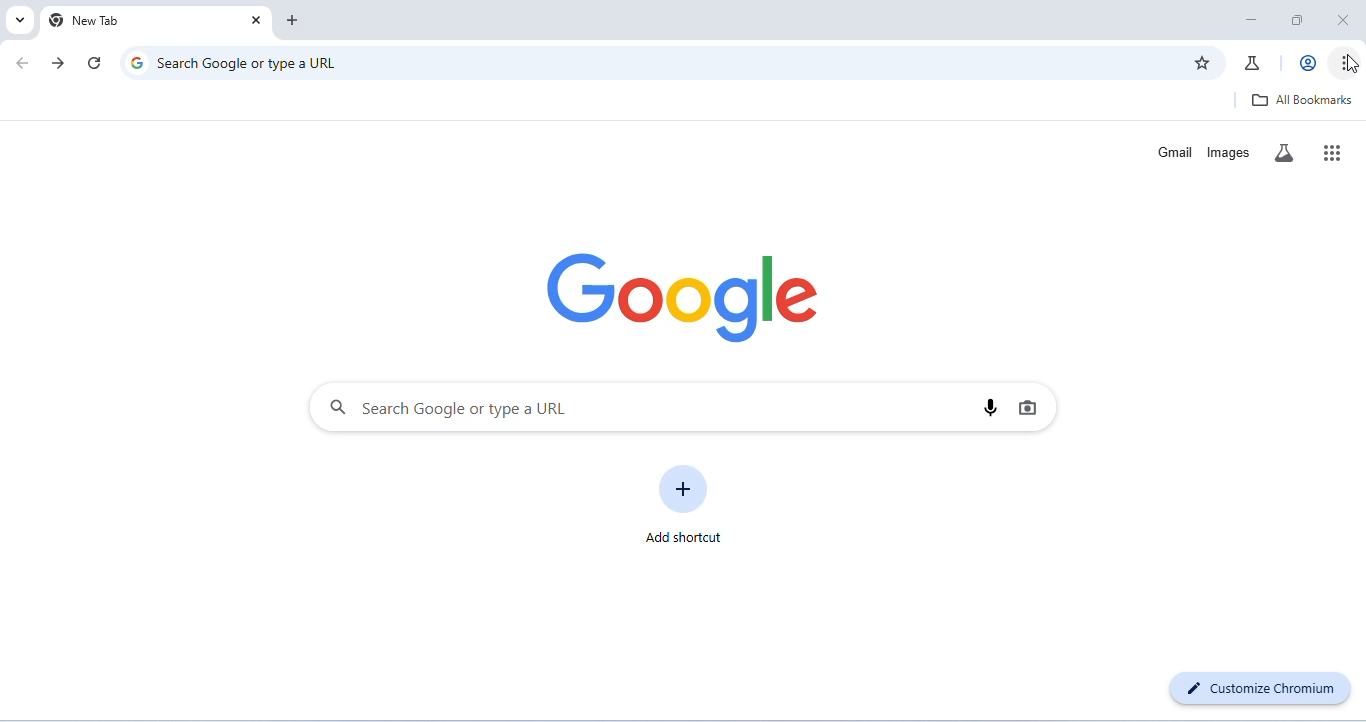  I want to click on google apps, so click(1333, 152).